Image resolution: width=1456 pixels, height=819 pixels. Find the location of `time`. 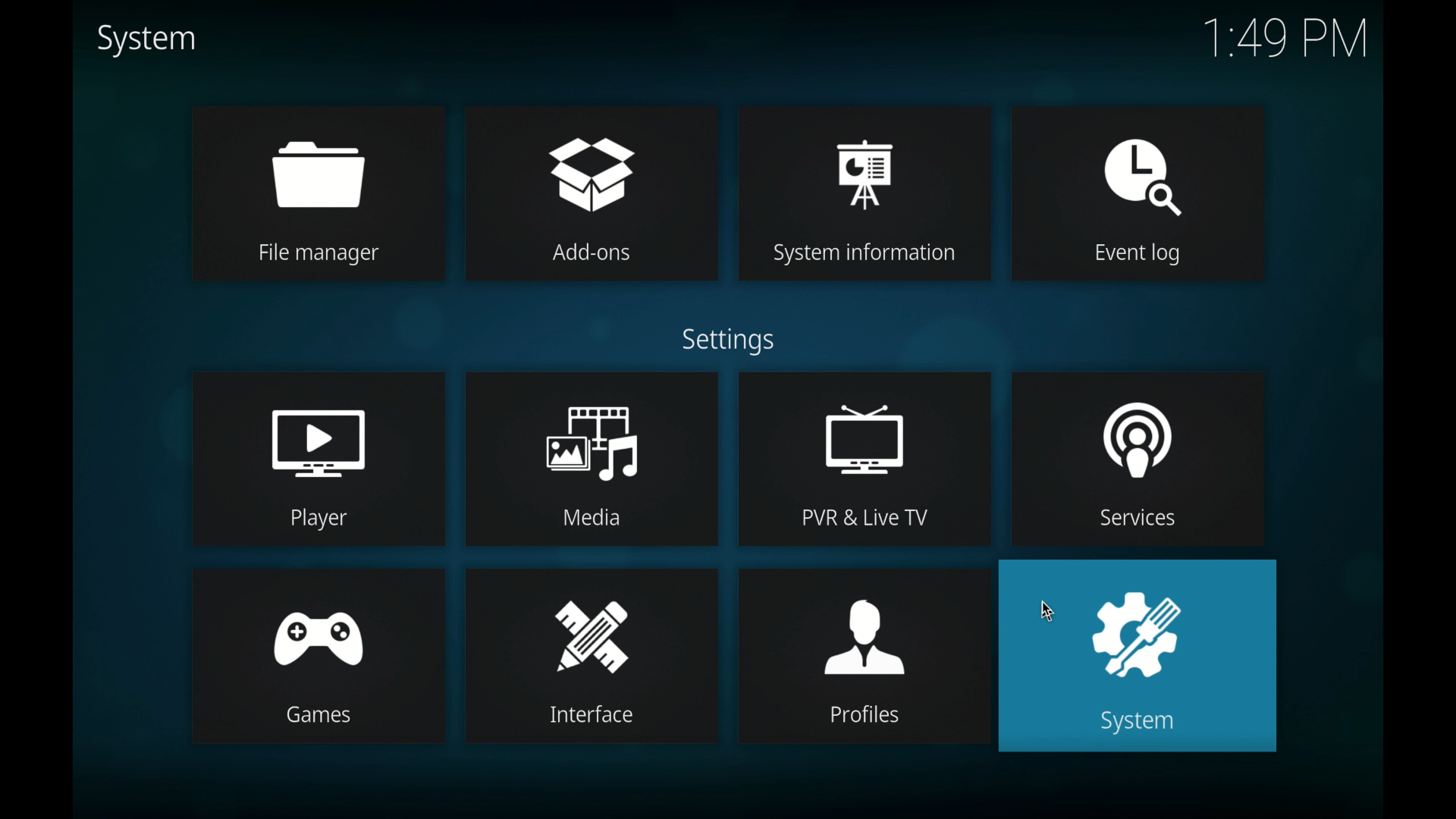

time is located at coordinates (1285, 37).